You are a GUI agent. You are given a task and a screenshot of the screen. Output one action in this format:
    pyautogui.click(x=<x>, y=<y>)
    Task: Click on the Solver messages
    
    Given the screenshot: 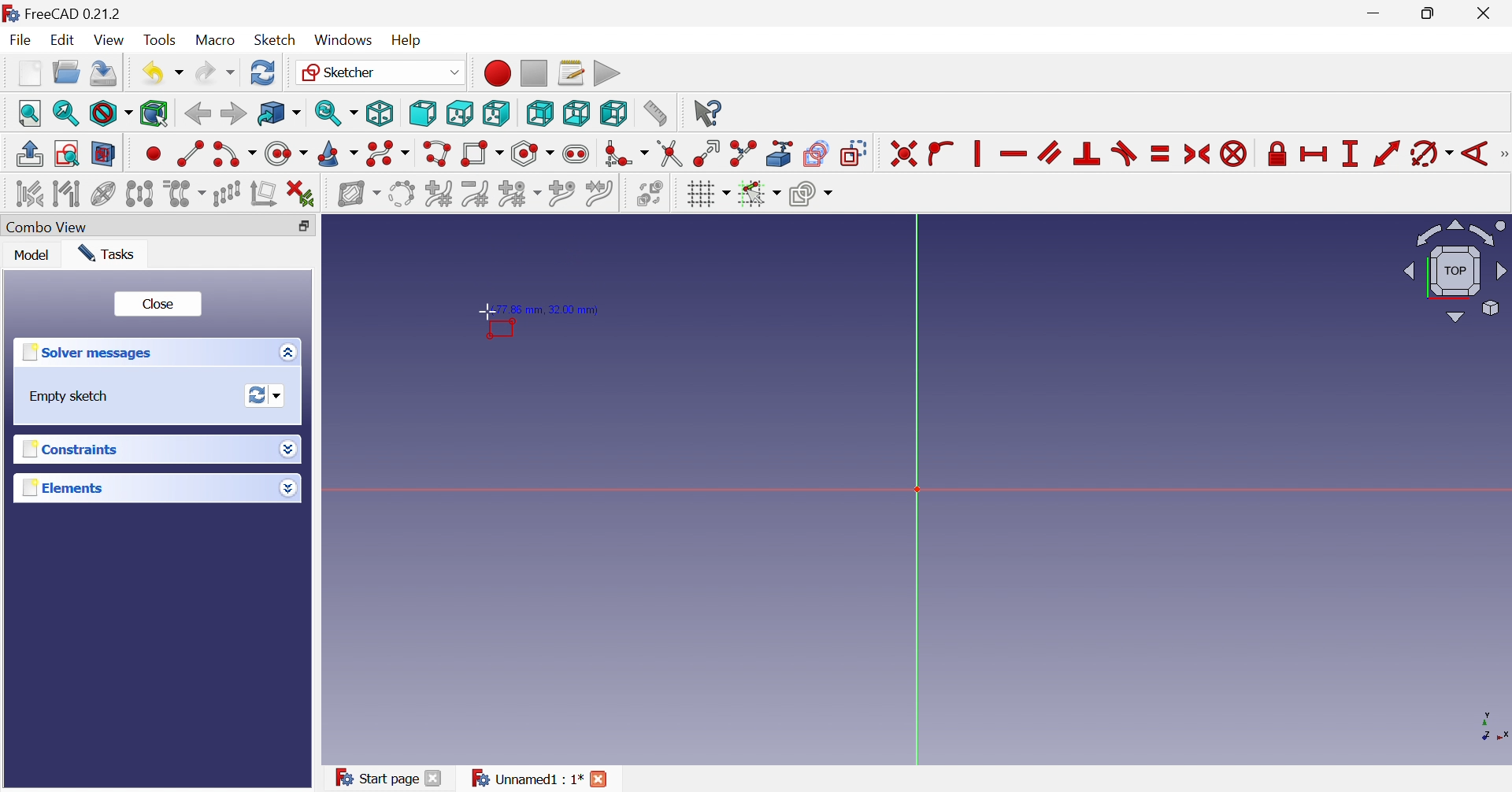 What is the action you would take?
    pyautogui.click(x=85, y=353)
    